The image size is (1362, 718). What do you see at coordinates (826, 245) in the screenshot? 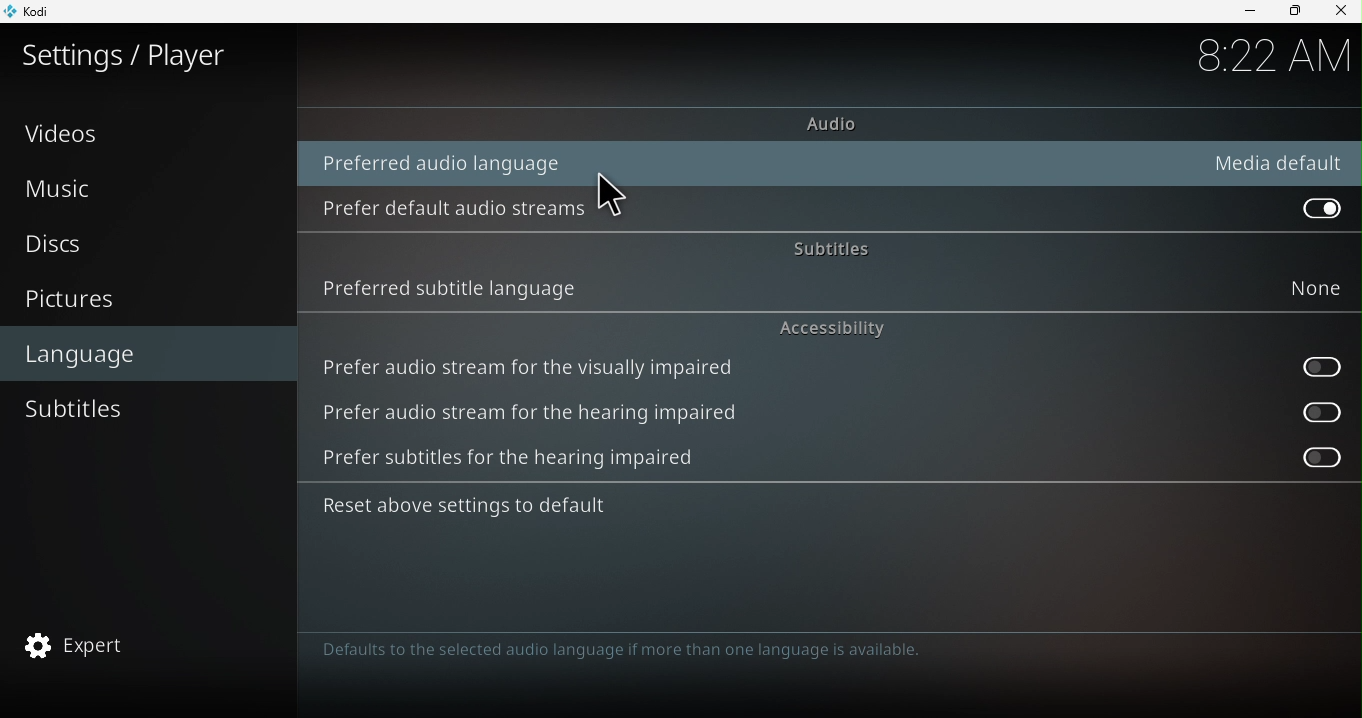
I see `Subtitles` at bounding box center [826, 245].